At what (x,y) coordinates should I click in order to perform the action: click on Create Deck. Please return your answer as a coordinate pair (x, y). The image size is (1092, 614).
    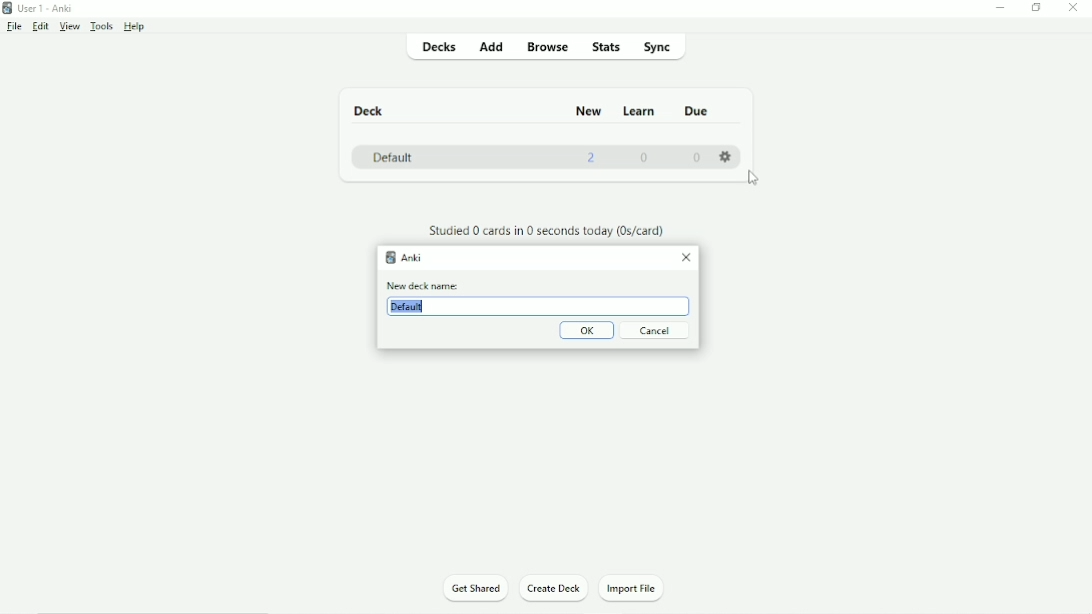
    Looking at the image, I should click on (555, 589).